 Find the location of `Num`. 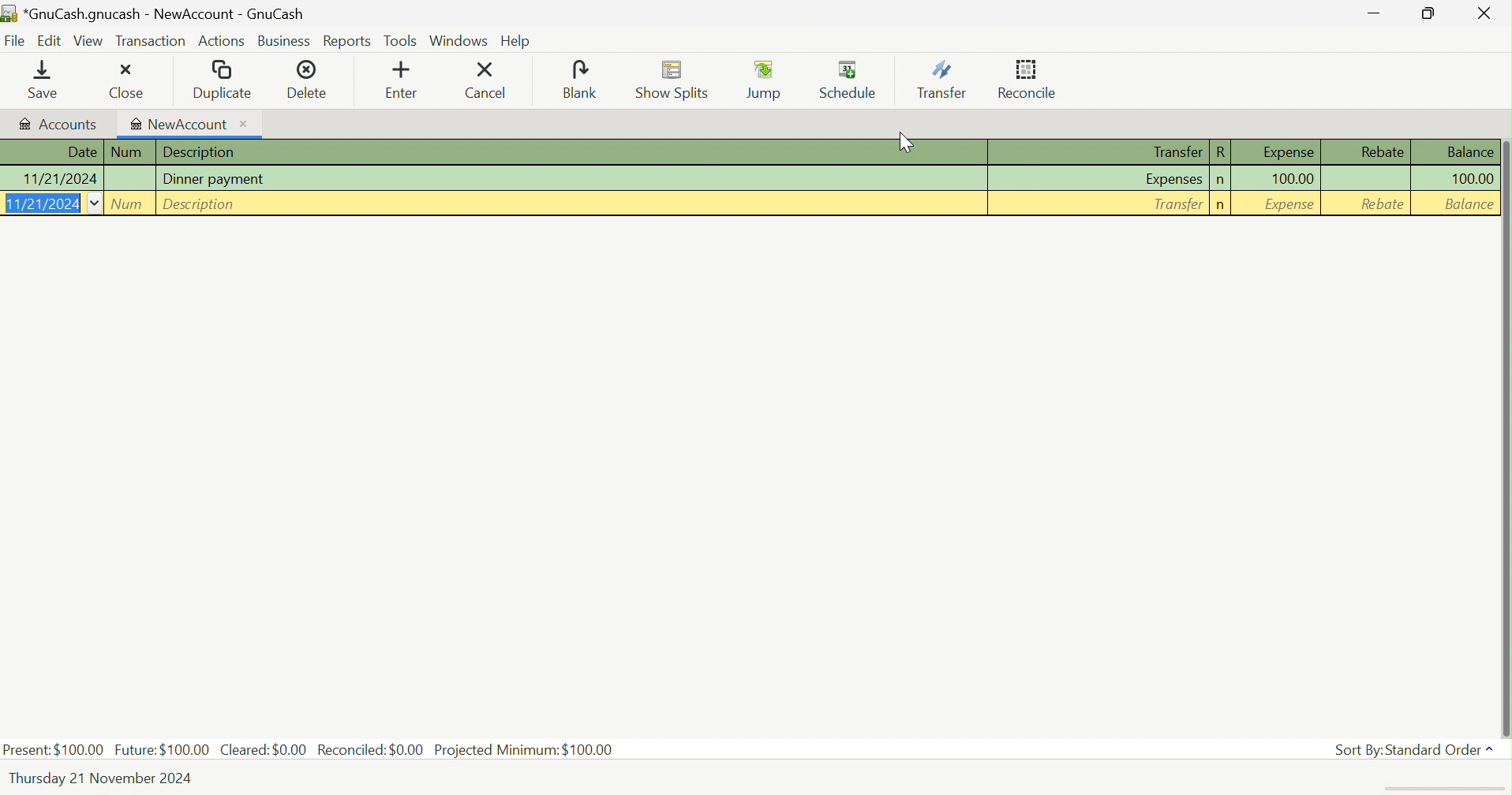

Num is located at coordinates (130, 152).